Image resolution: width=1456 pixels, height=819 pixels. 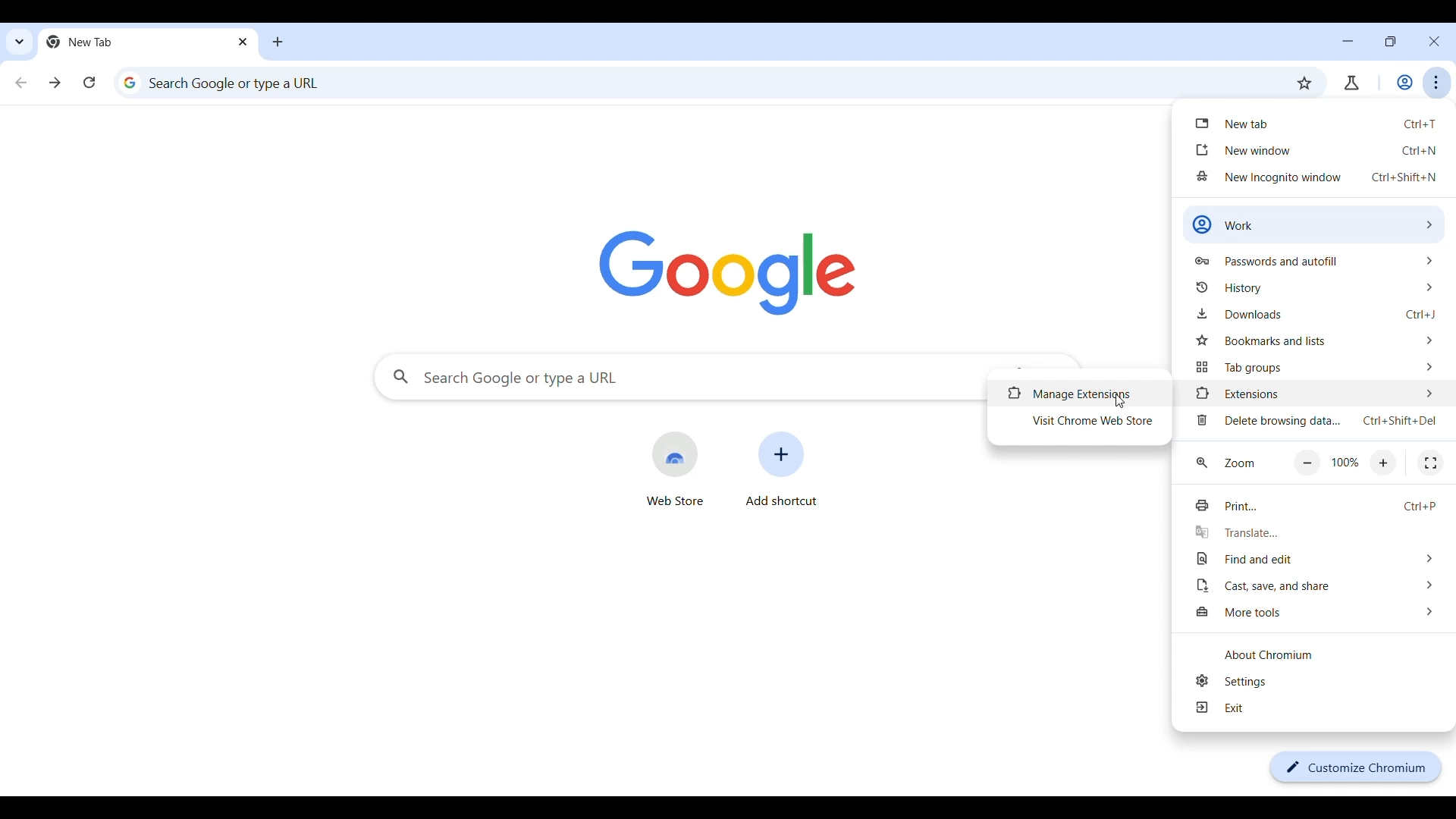 I want to click on Add new tab, so click(x=278, y=42).